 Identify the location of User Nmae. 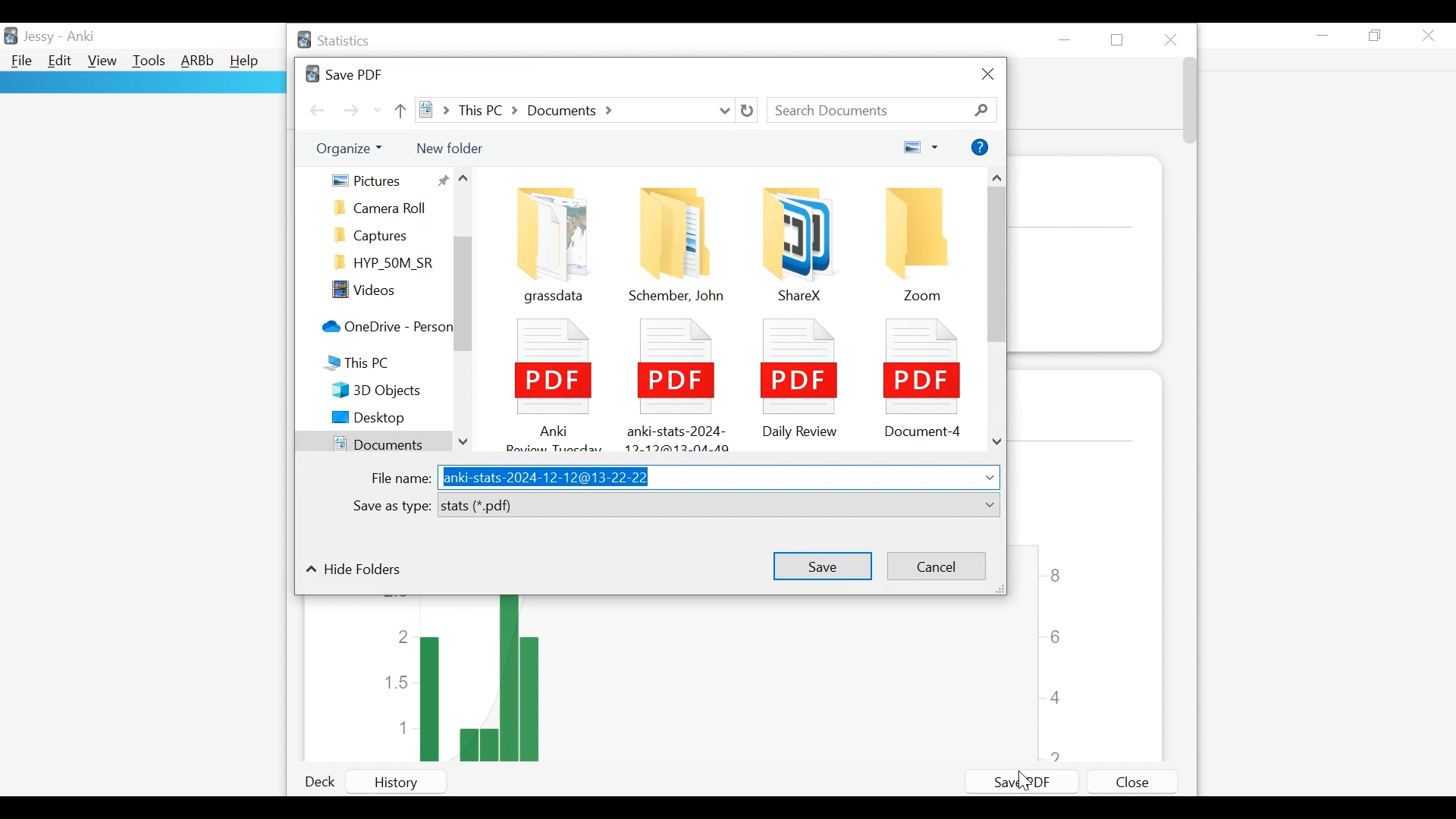
(39, 39).